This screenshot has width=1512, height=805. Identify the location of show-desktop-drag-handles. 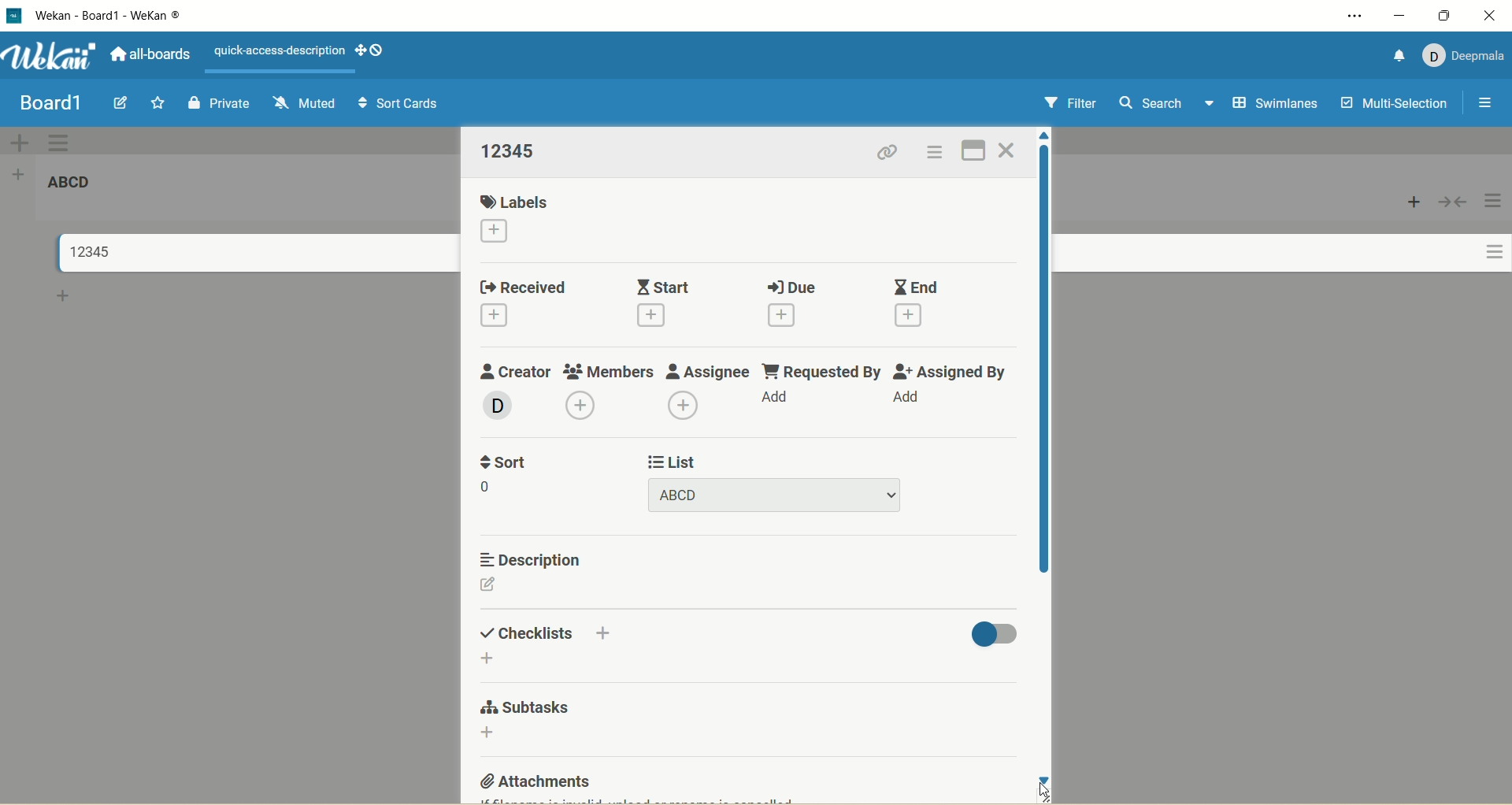
(380, 50).